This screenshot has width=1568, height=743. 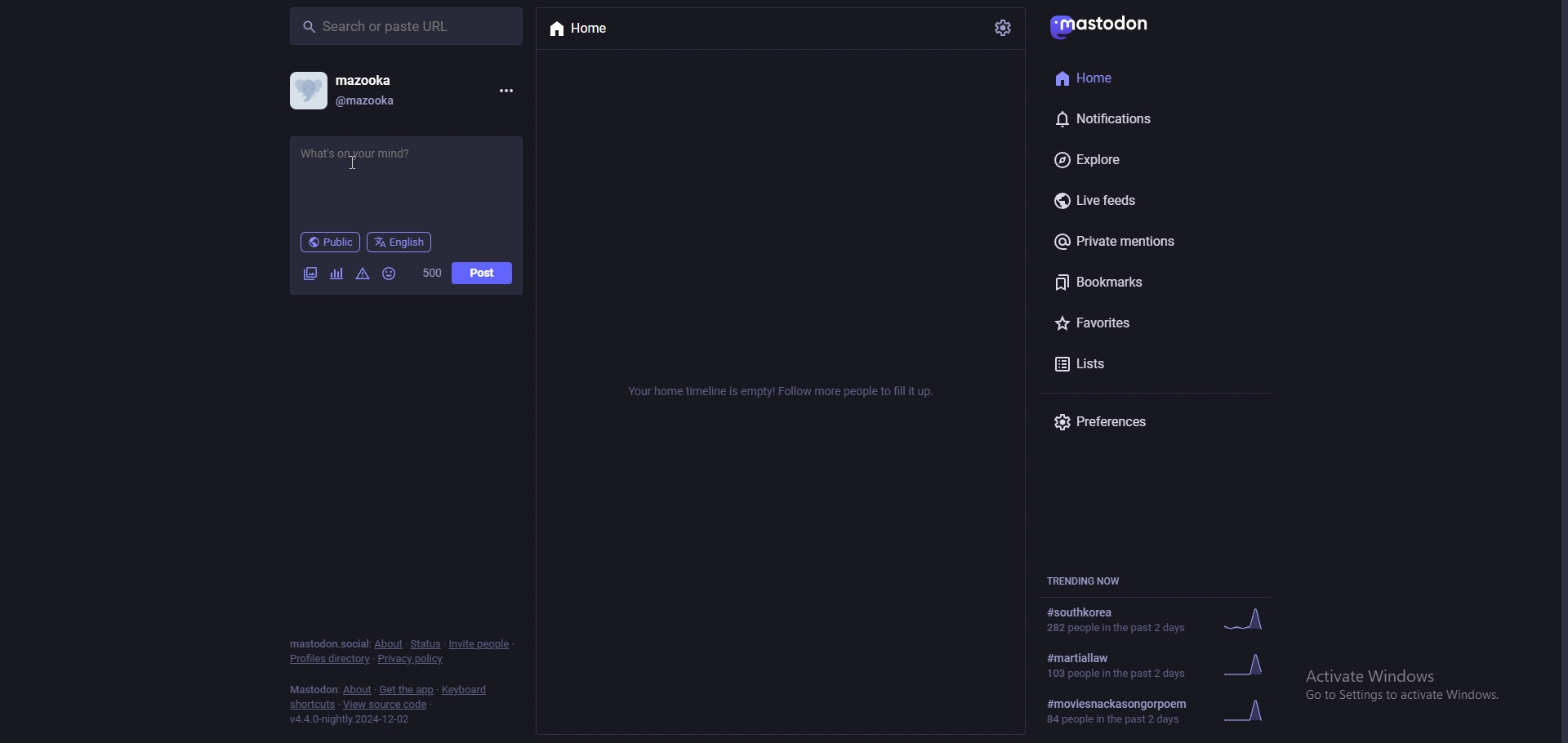 What do you see at coordinates (363, 275) in the screenshot?
I see `warning` at bounding box center [363, 275].